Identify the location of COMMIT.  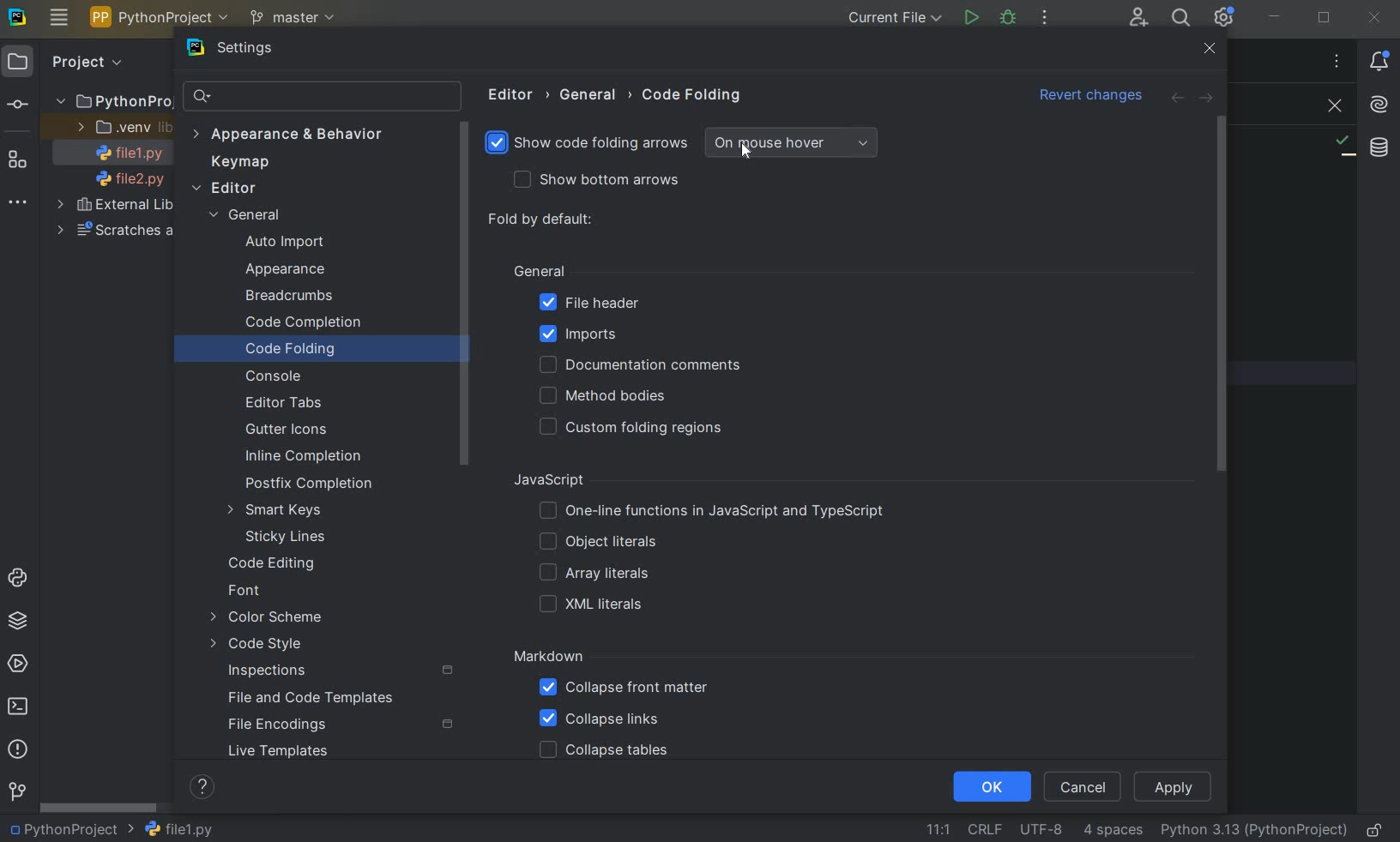
(17, 105).